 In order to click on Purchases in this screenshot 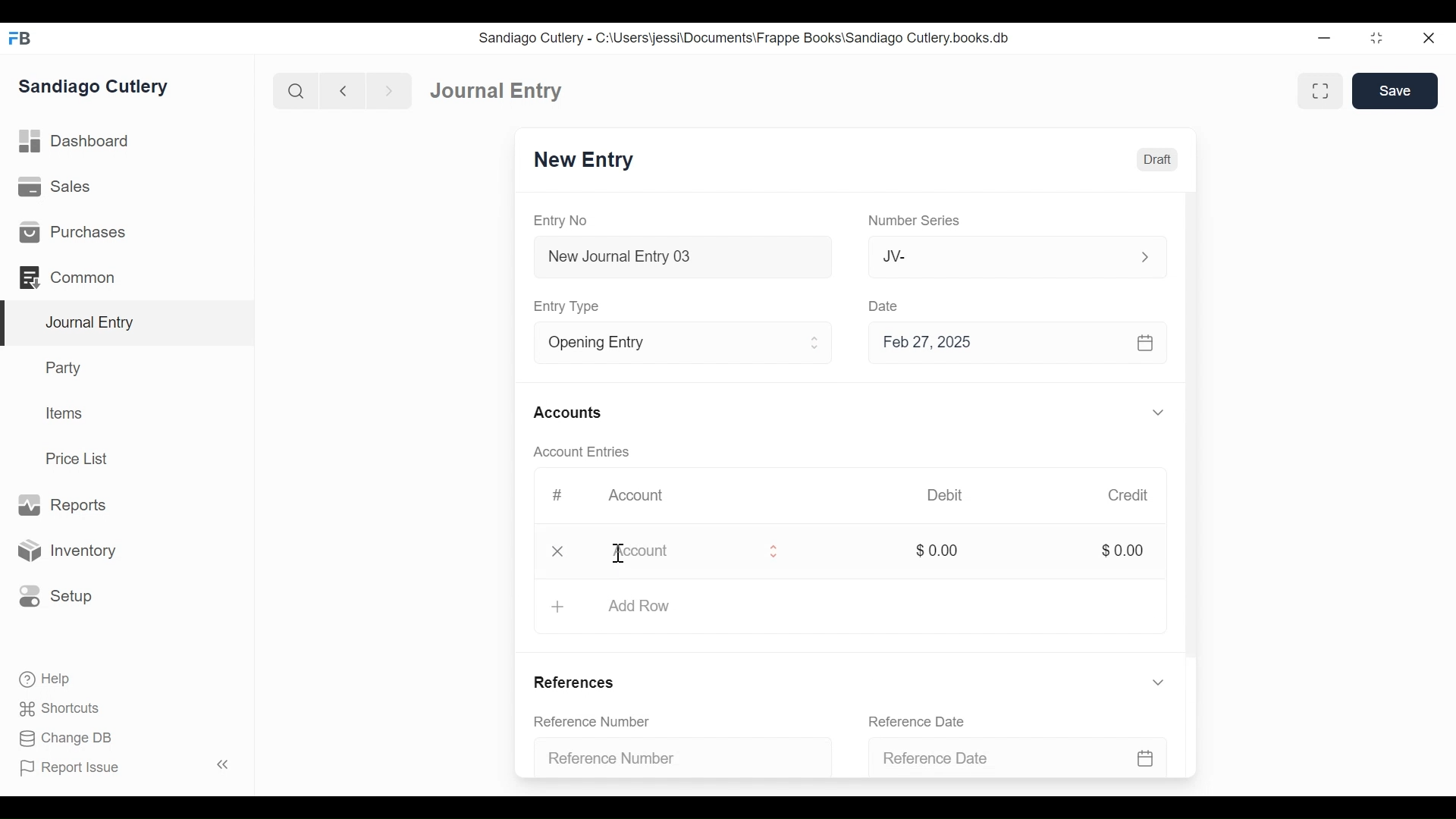, I will do `click(75, 232)`.